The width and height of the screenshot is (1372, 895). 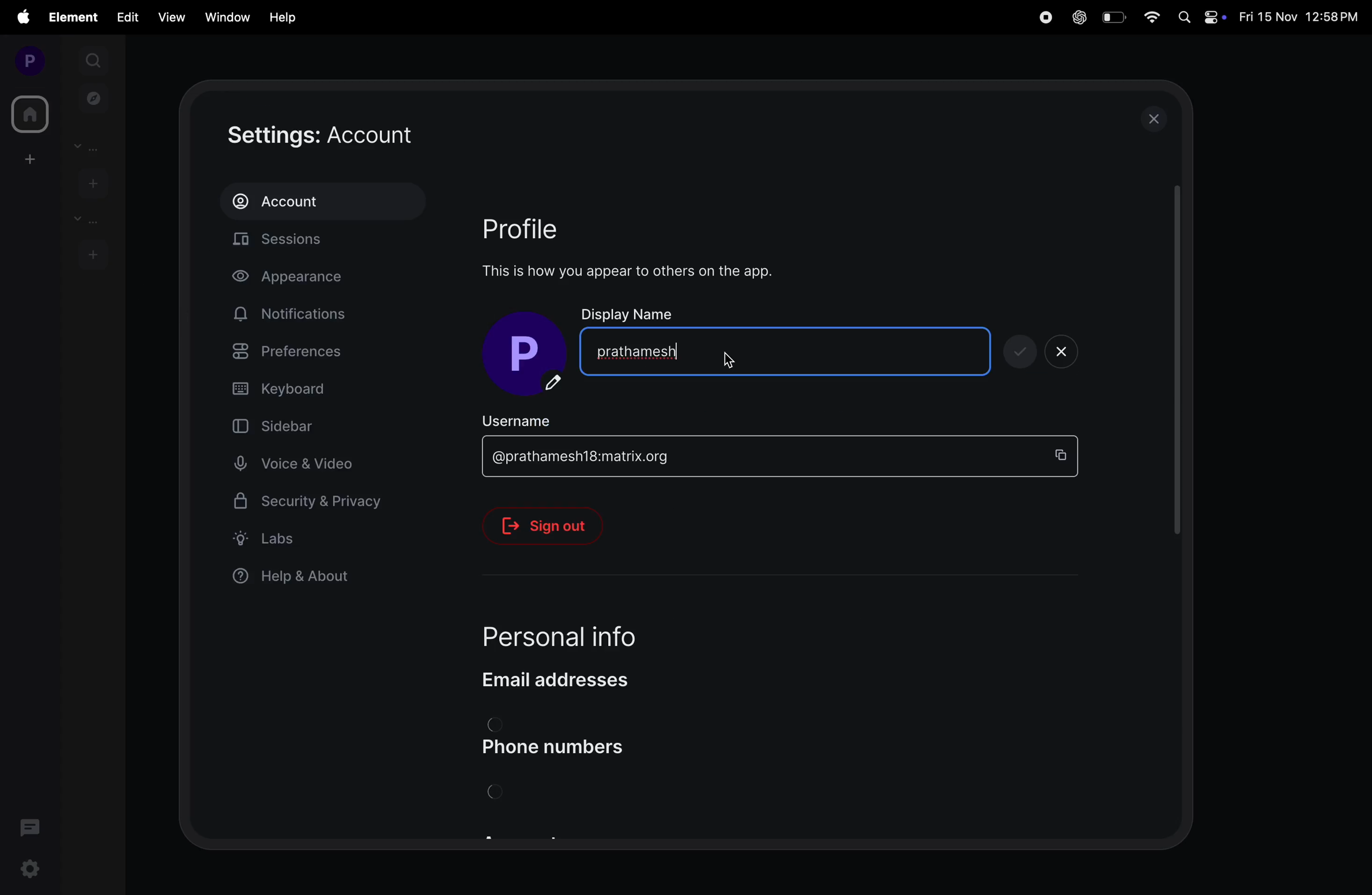 What do you see at coordinates (639, 271) in the screenshot?
I see `this is how you appear on other app` at bounding box center [639, 271].